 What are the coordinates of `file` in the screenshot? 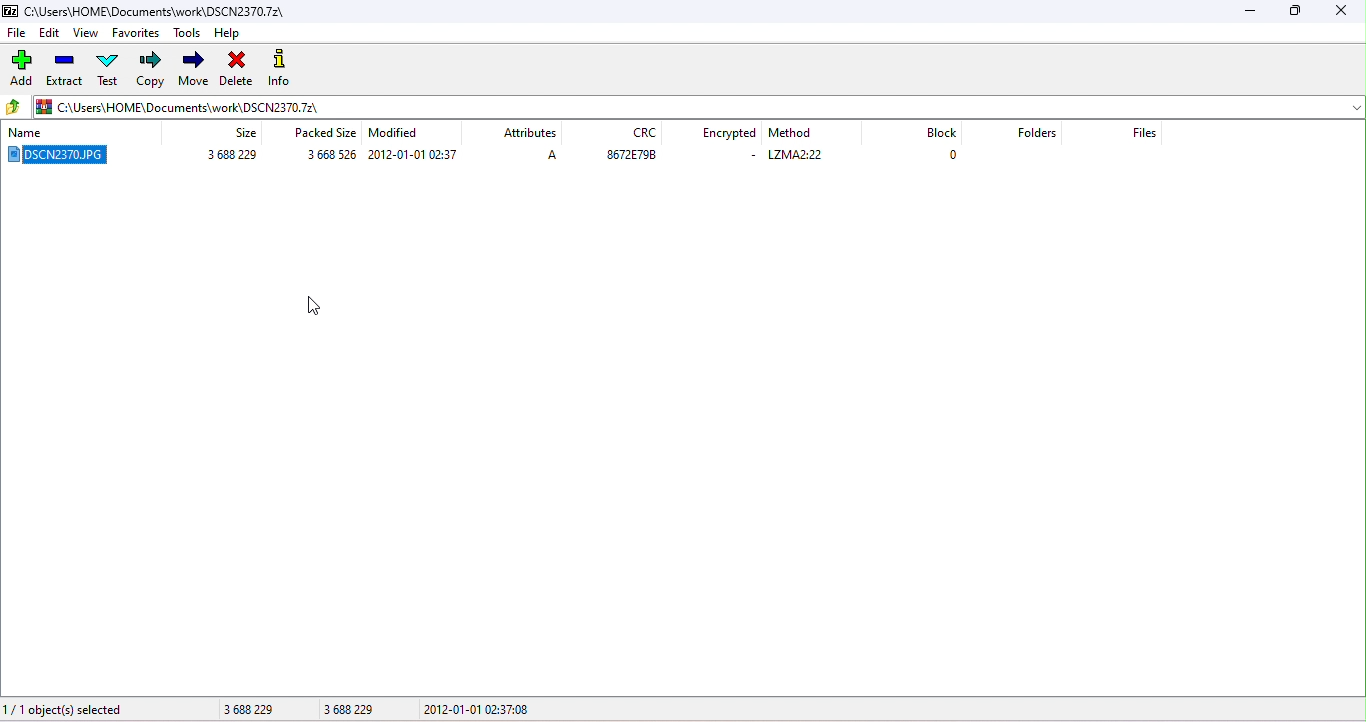 It's located at (17, 32).